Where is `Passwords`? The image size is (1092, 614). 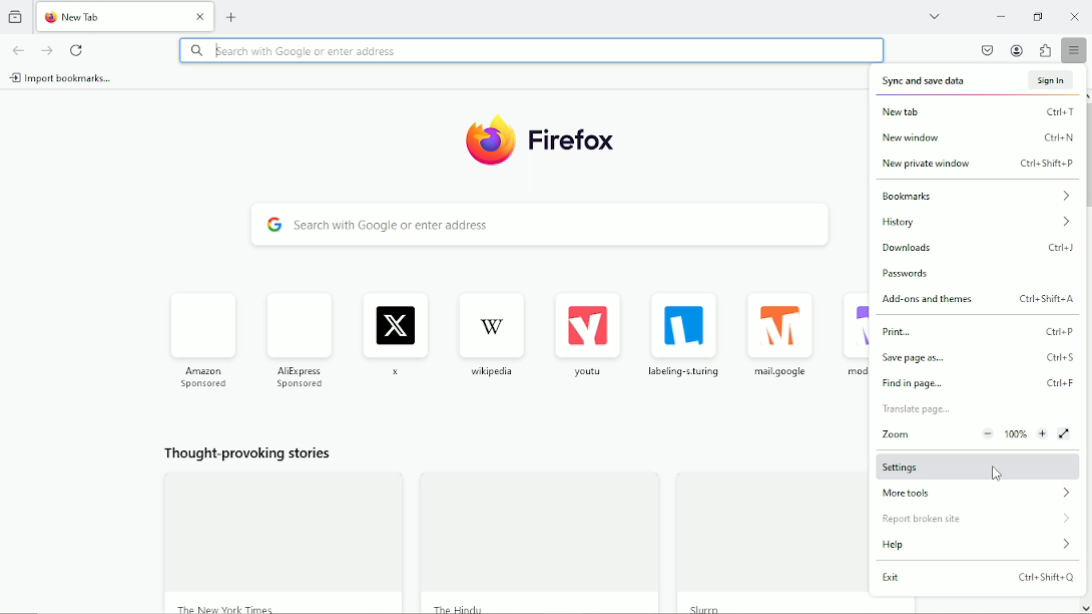
Passwords is located at coordinates (912, 275).